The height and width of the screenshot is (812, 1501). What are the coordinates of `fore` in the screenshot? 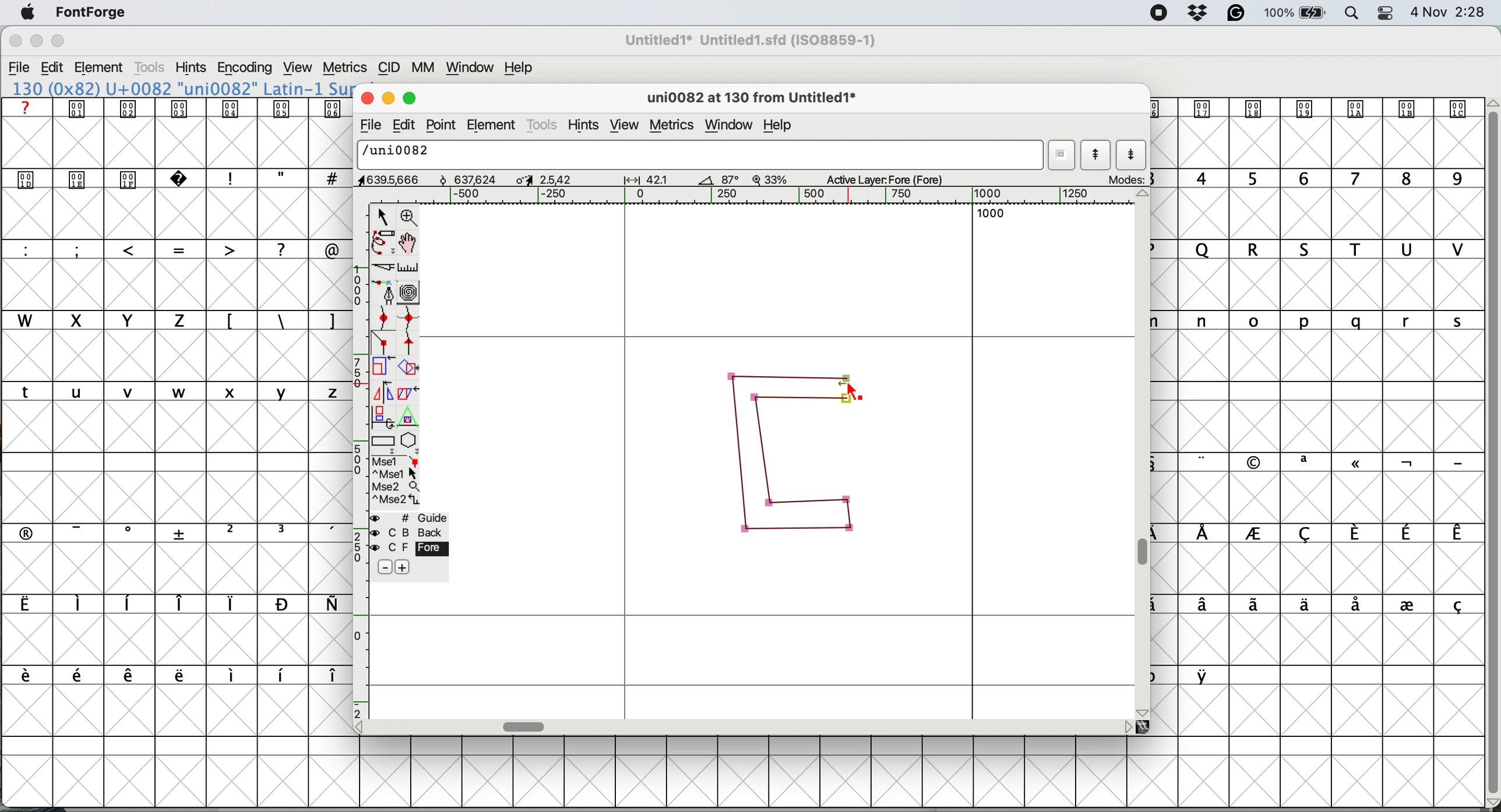 It's located at (409, 548).